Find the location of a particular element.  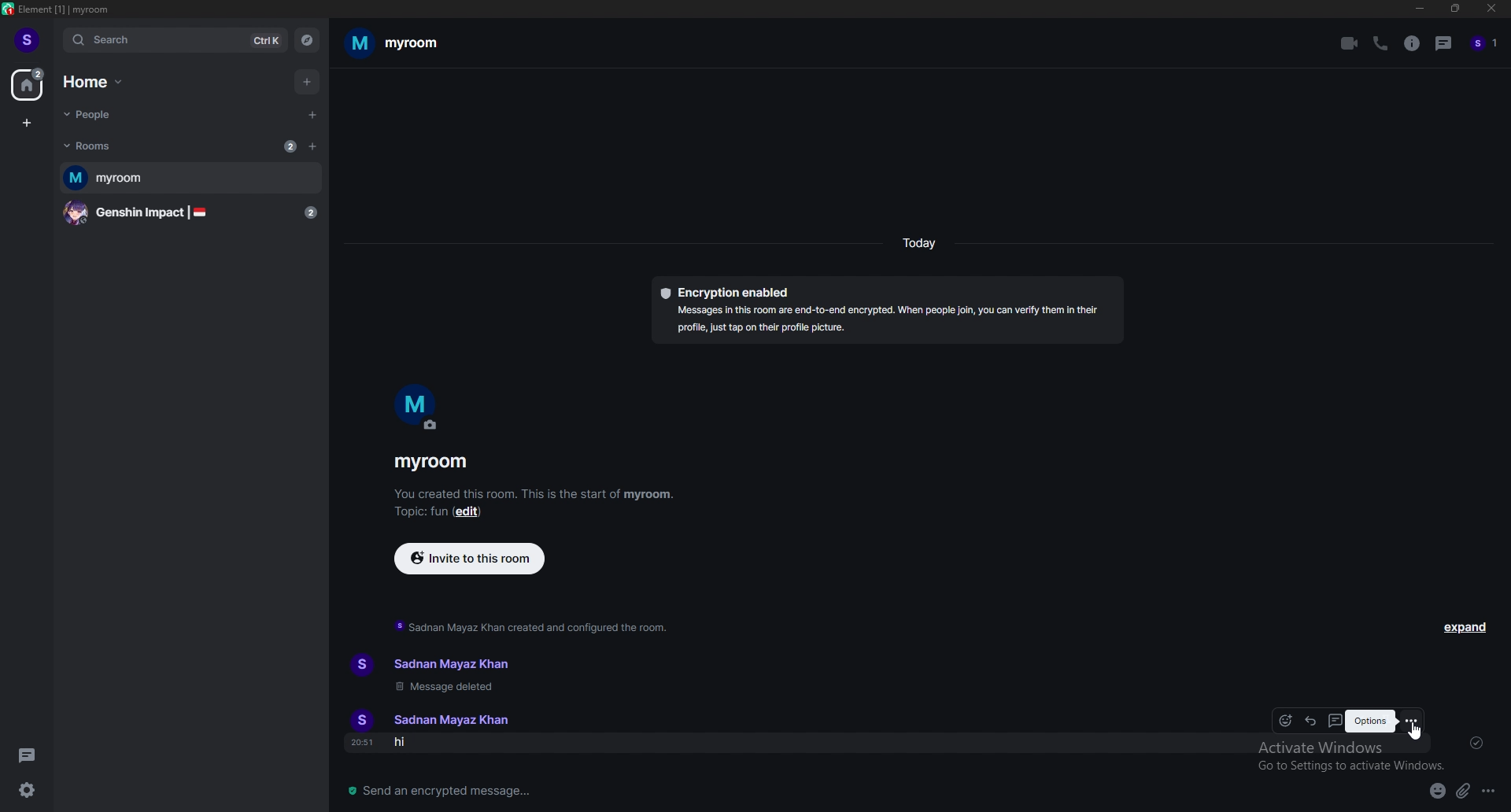

options is located at coordinates (1410, 720).